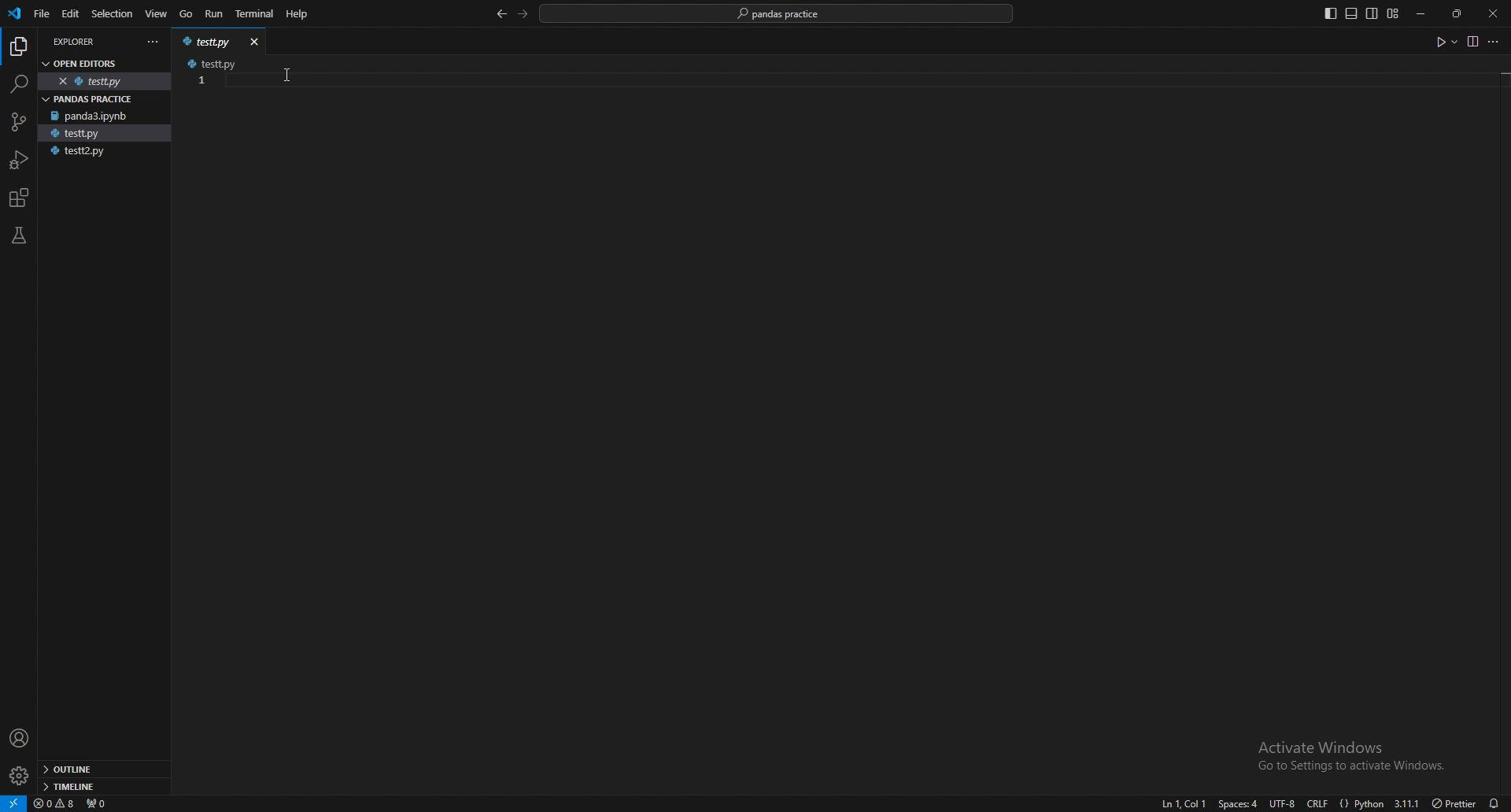 The height and width of the screenshot is (812, 1511). I want to click on scale, so click(201, 94).